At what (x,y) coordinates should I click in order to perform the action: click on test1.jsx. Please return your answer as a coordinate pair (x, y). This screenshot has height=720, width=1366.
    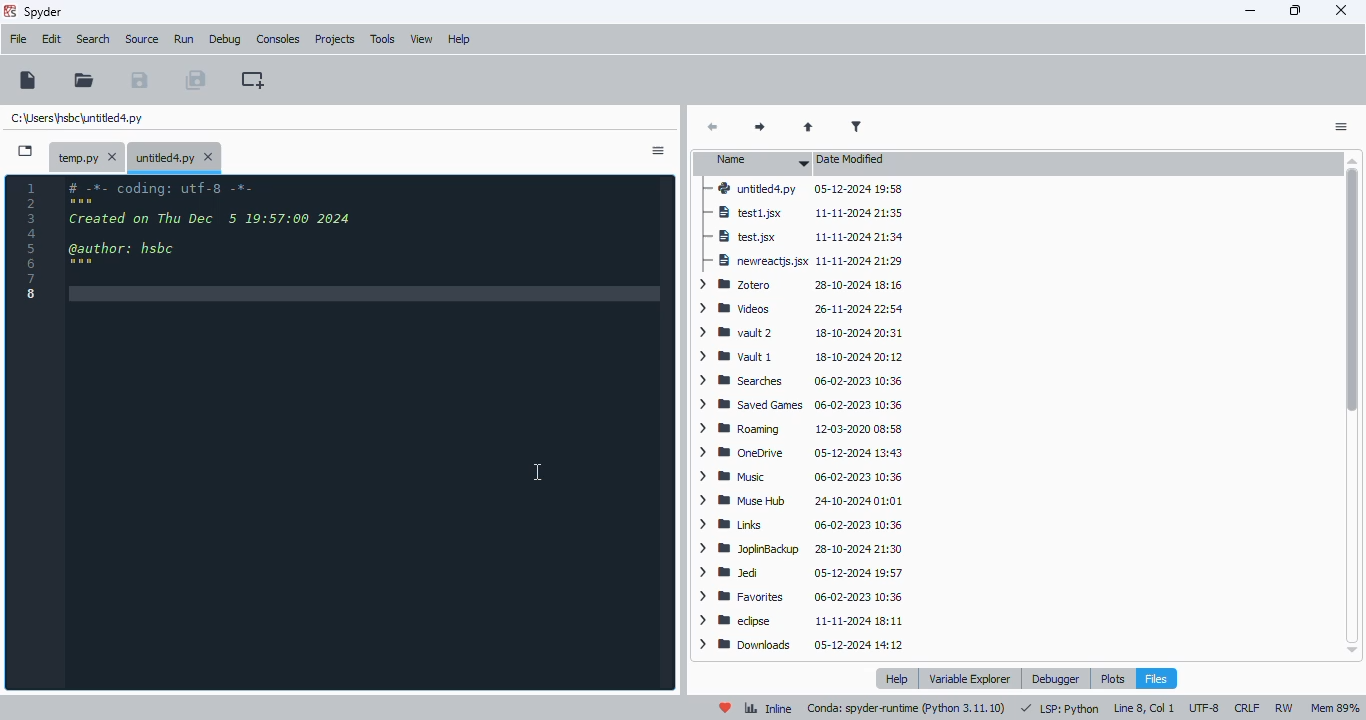
    Looking at the image, I should click on (753, 214).